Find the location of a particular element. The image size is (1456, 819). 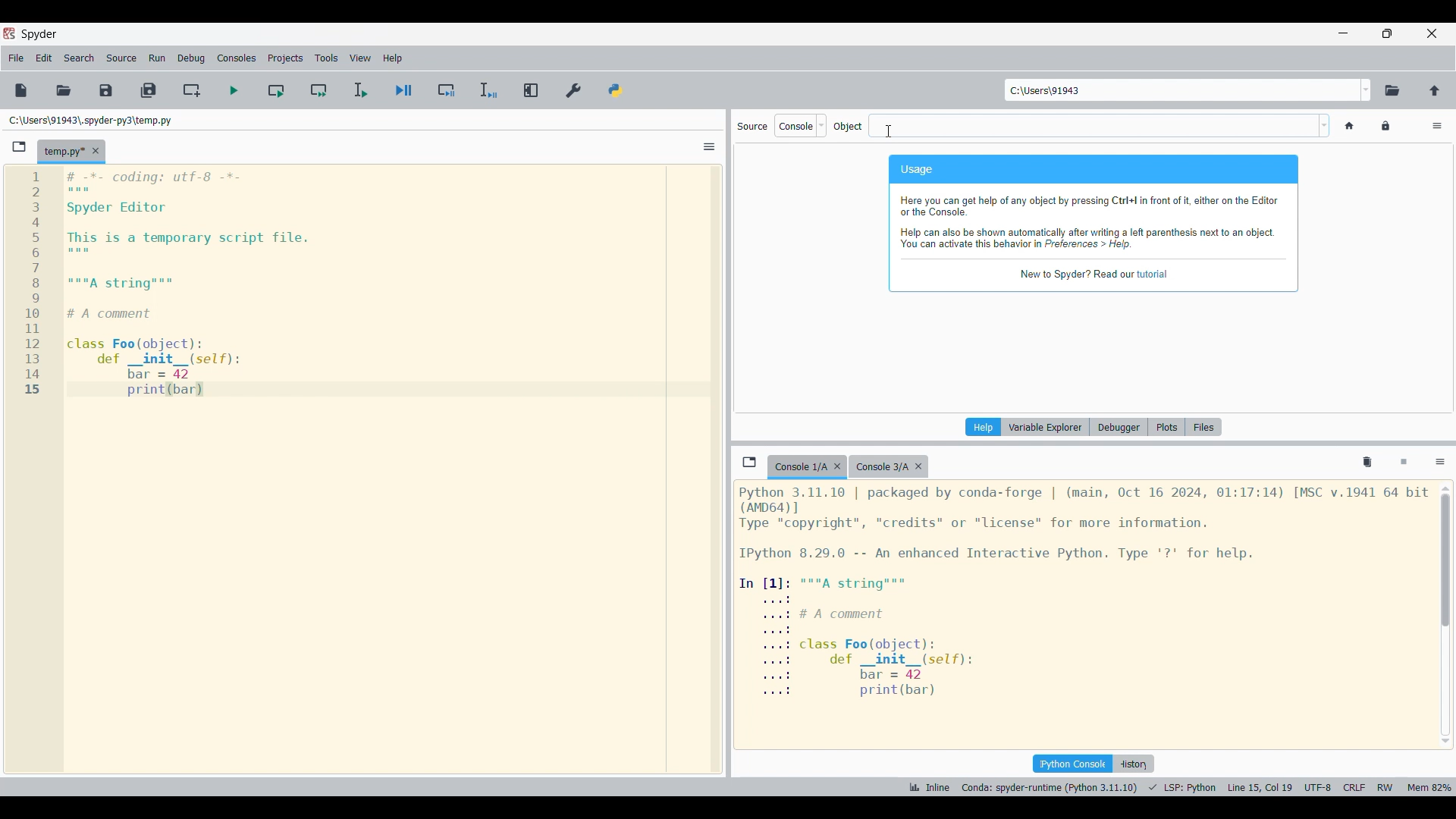

Plots is located at coordinates (1164, 428).